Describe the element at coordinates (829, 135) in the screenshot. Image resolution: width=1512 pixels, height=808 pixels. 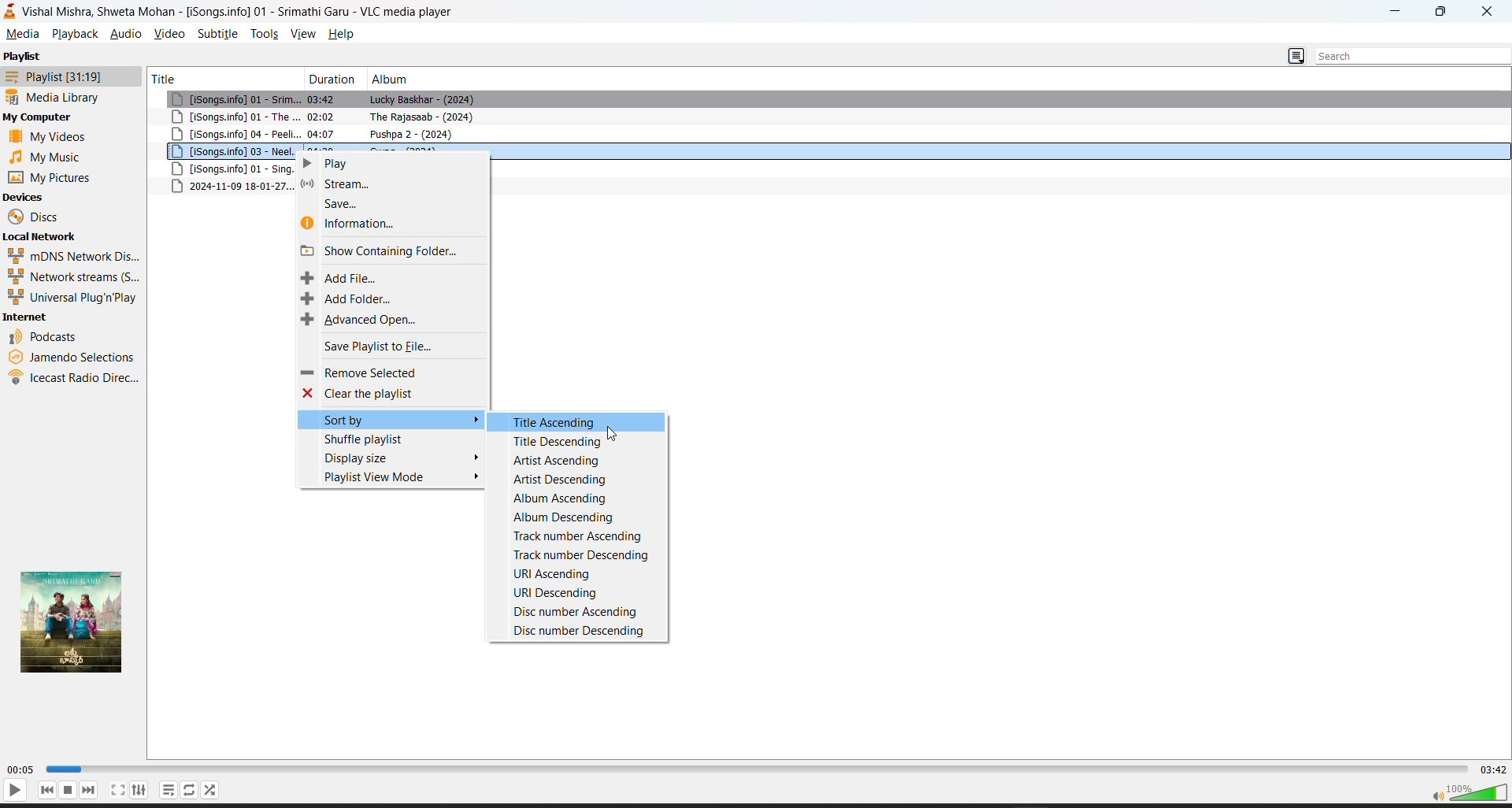
I see `song` at that location.